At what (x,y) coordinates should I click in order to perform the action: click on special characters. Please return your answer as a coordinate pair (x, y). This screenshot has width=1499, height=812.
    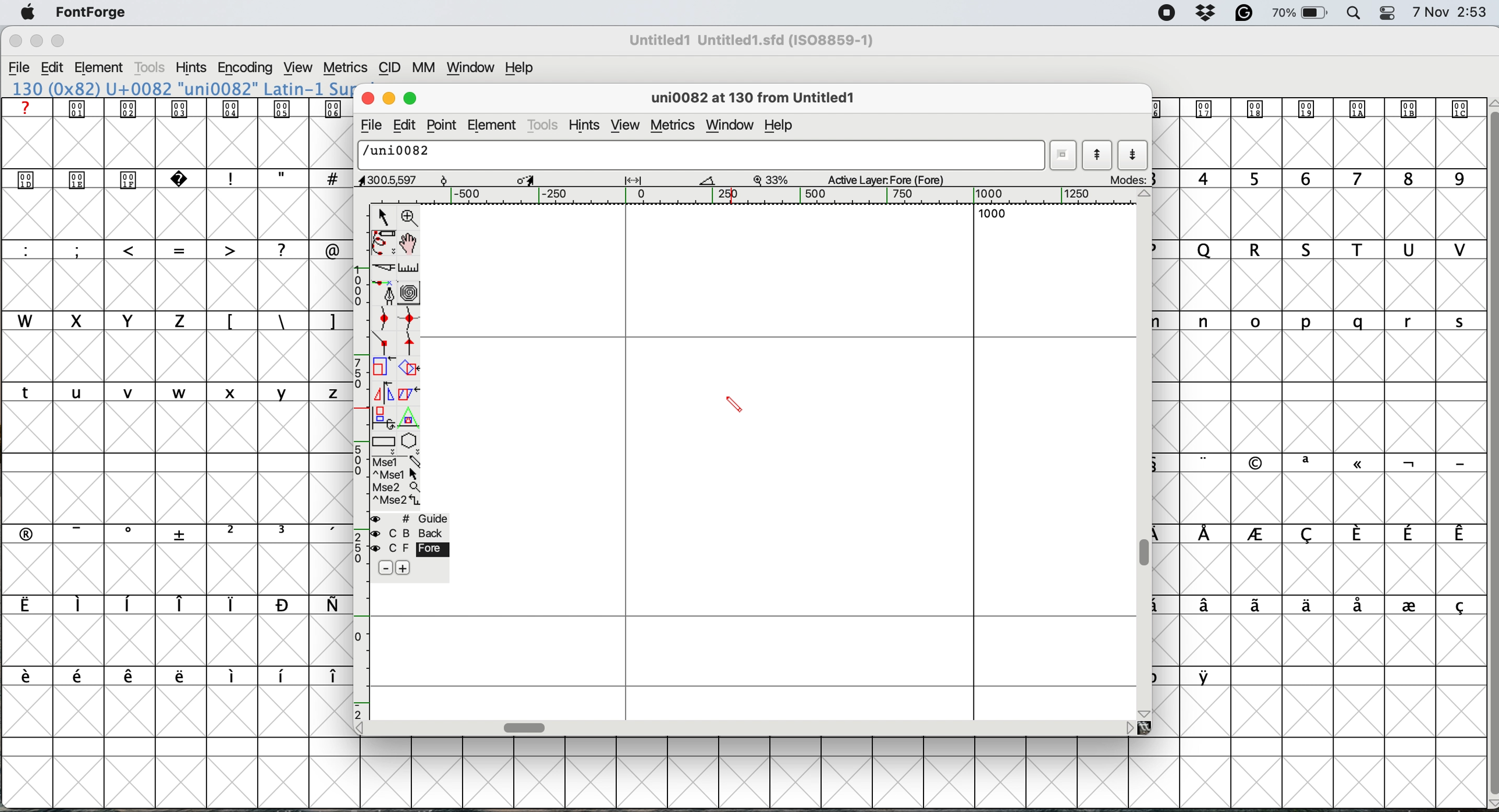
    Looking at the image, I should click on (278, 320).